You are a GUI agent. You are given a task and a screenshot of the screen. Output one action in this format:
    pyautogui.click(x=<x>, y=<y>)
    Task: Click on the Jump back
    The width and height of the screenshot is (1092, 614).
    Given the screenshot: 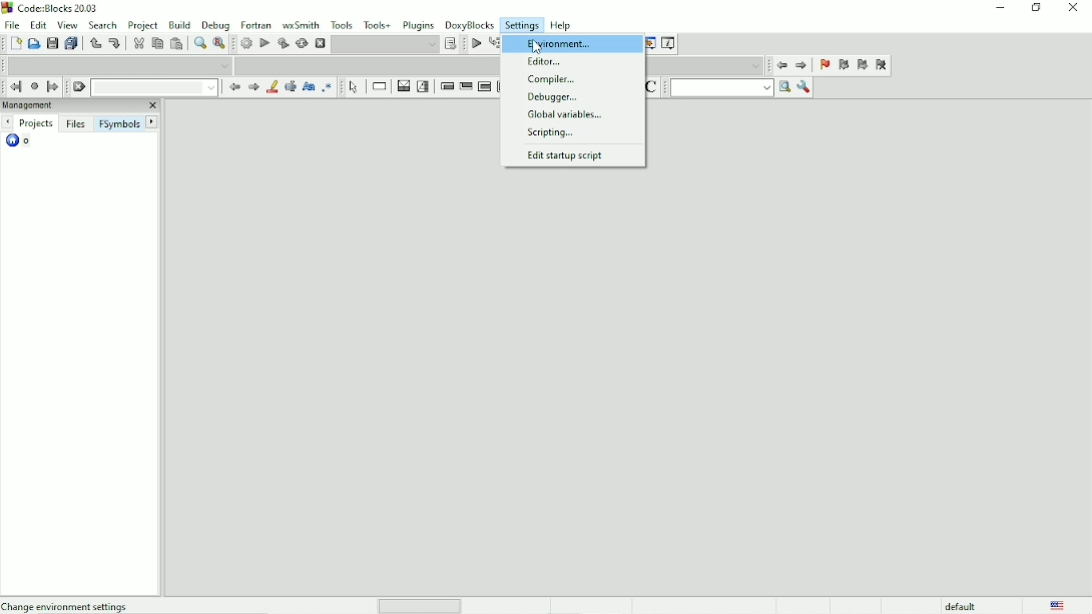 What is the action you would take?
    pyautogui.click(x=15, y=86)
    